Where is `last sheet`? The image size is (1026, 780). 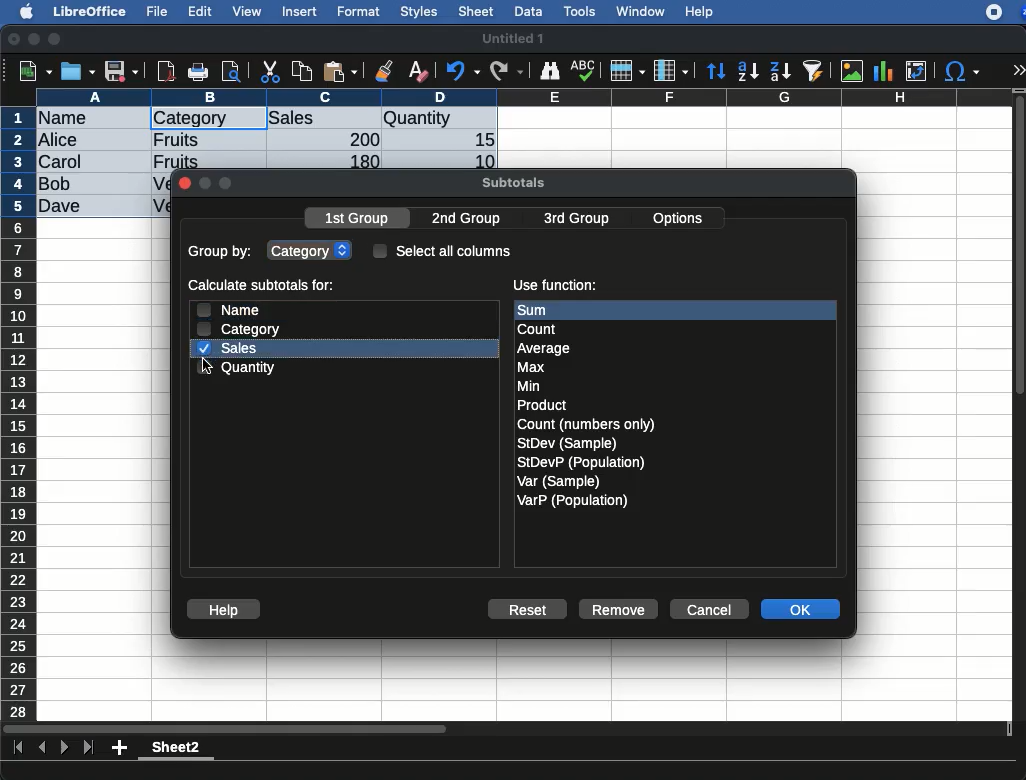
last sheet is located at coordinates (88, 748).